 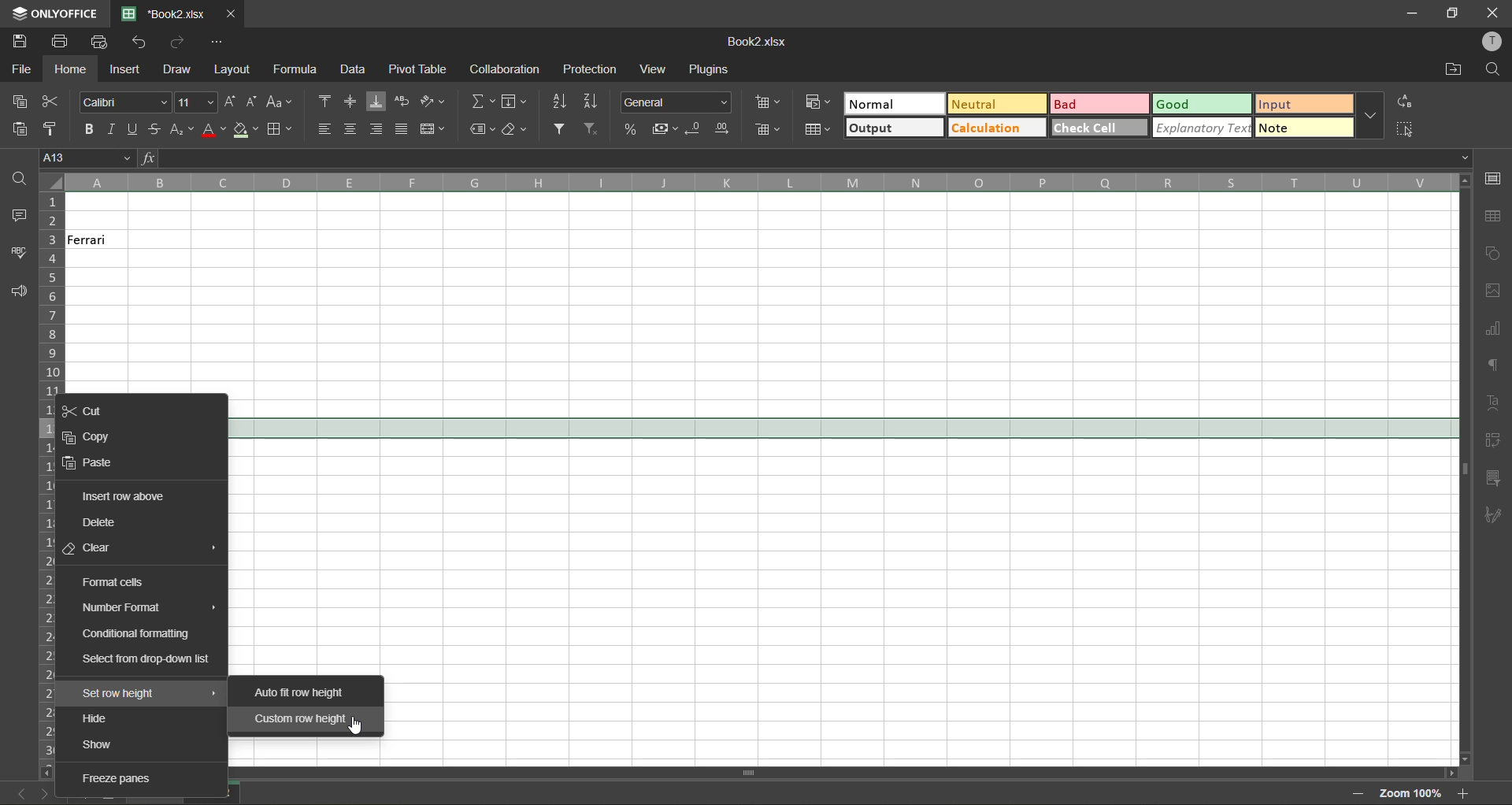 What do you see at coordinates (435, 101) in the screenshot?
I see `orientation` at bounding box center [435, 101].